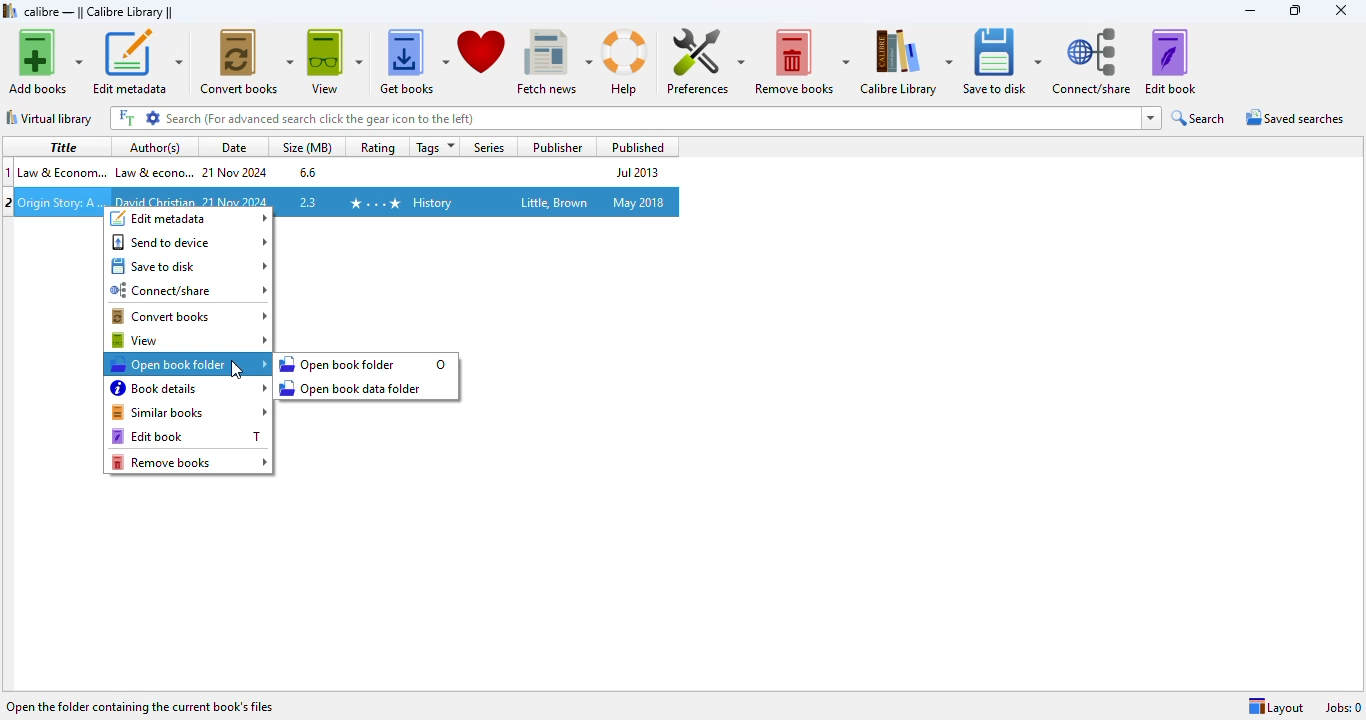 The height and width of the screenshot is (720, 1366). I want to click on preferences, so click(704, 61).